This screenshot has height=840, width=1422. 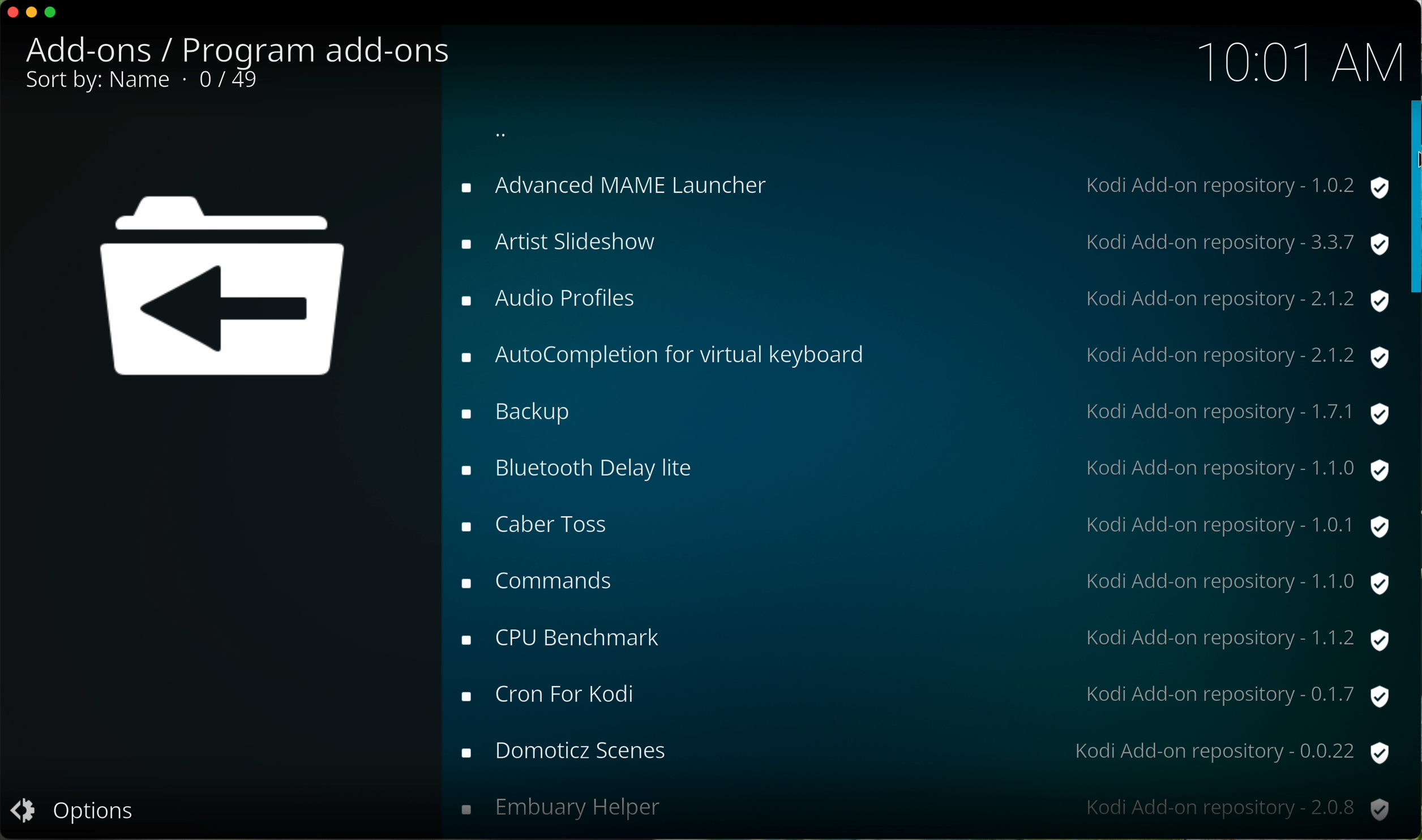 What do you see at coordinates (919, 750) in the screenshot?
I see `domoticz scenes` at bounding box center [919, 750].